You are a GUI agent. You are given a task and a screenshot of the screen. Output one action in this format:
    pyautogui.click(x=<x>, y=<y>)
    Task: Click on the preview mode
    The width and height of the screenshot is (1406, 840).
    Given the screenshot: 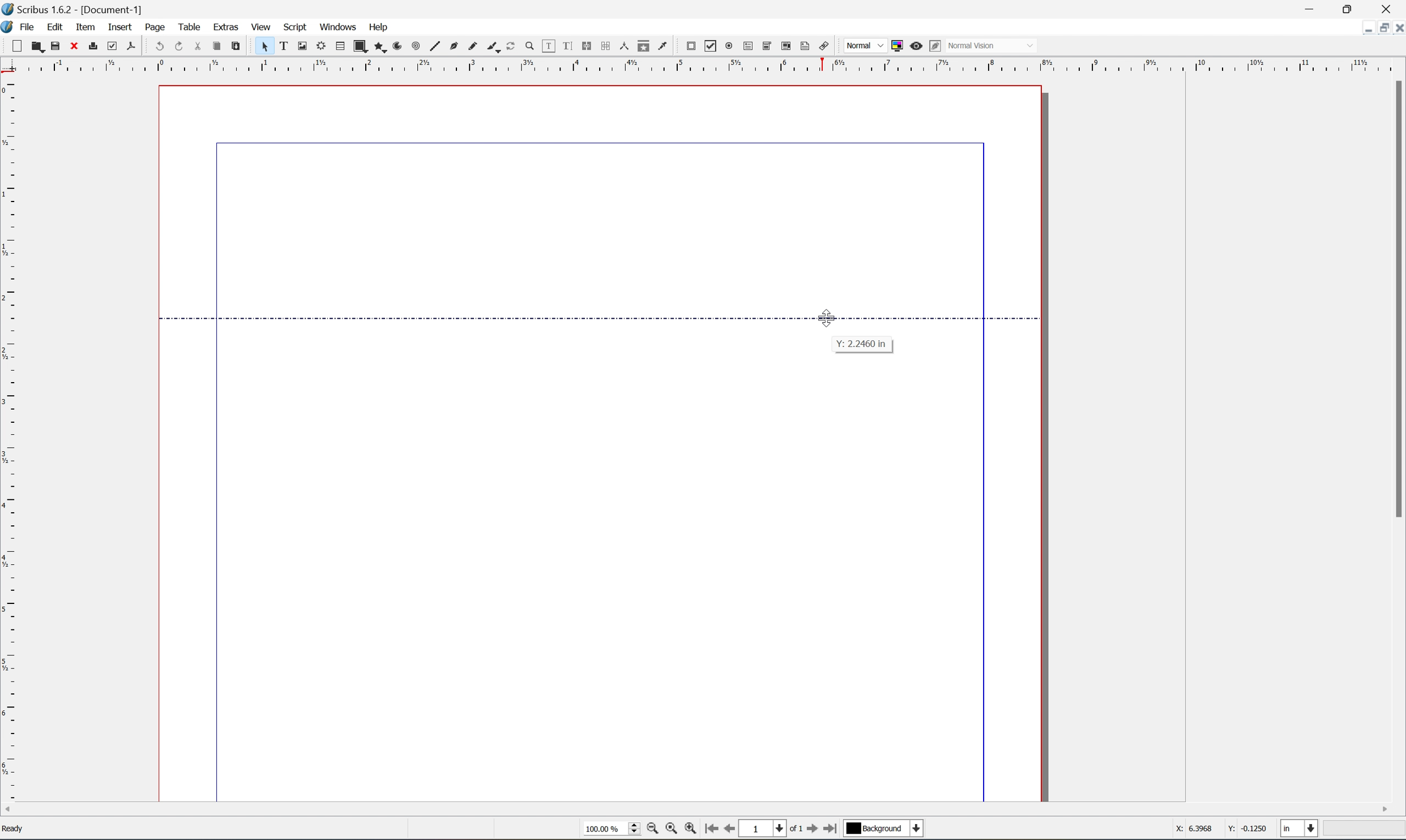 What is the action you would take?
    pyautogui.click(x=916, y=45)
    